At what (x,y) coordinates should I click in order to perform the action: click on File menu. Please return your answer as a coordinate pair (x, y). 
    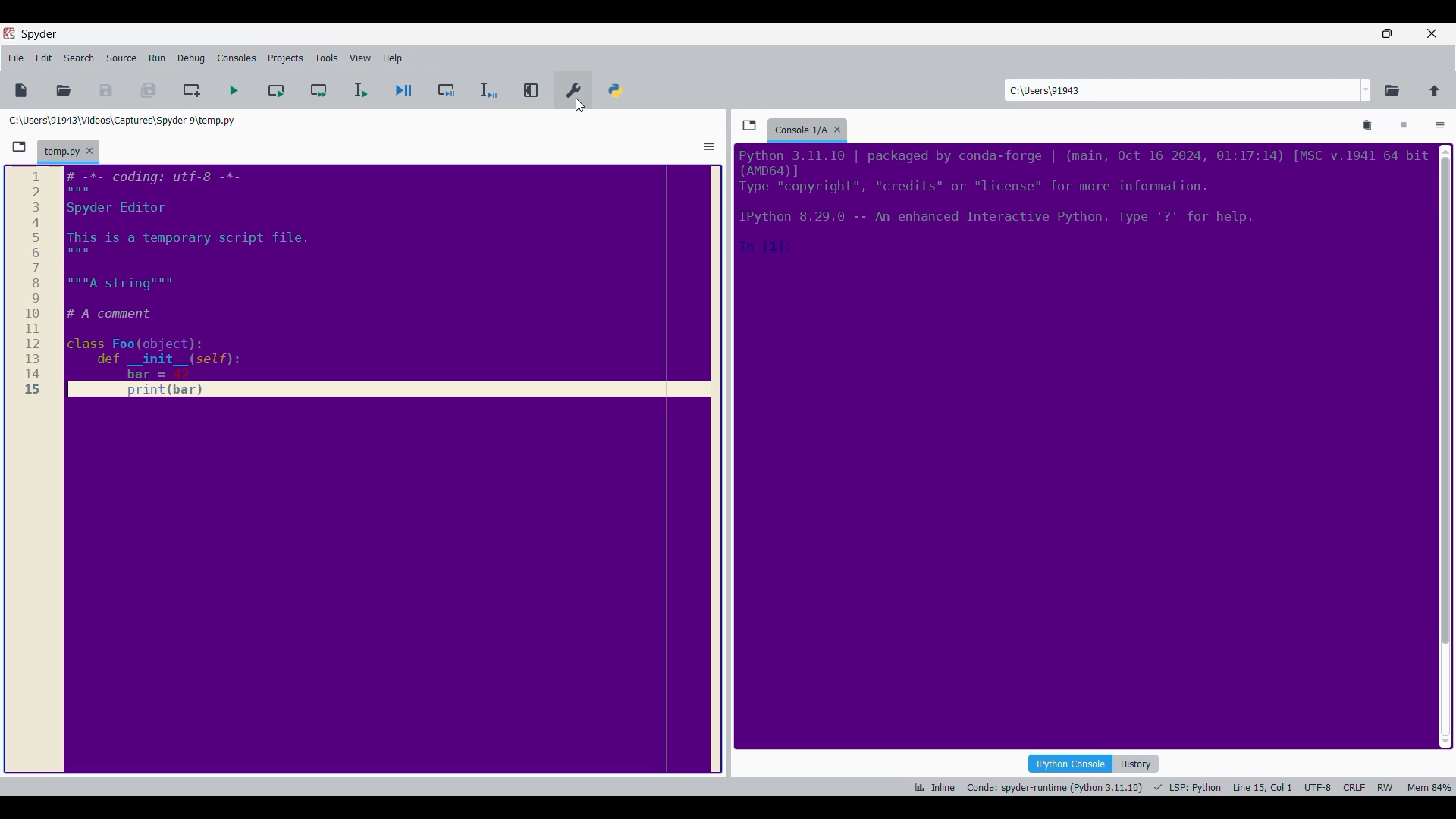
    Looking at the image, I should click on (16, 58).